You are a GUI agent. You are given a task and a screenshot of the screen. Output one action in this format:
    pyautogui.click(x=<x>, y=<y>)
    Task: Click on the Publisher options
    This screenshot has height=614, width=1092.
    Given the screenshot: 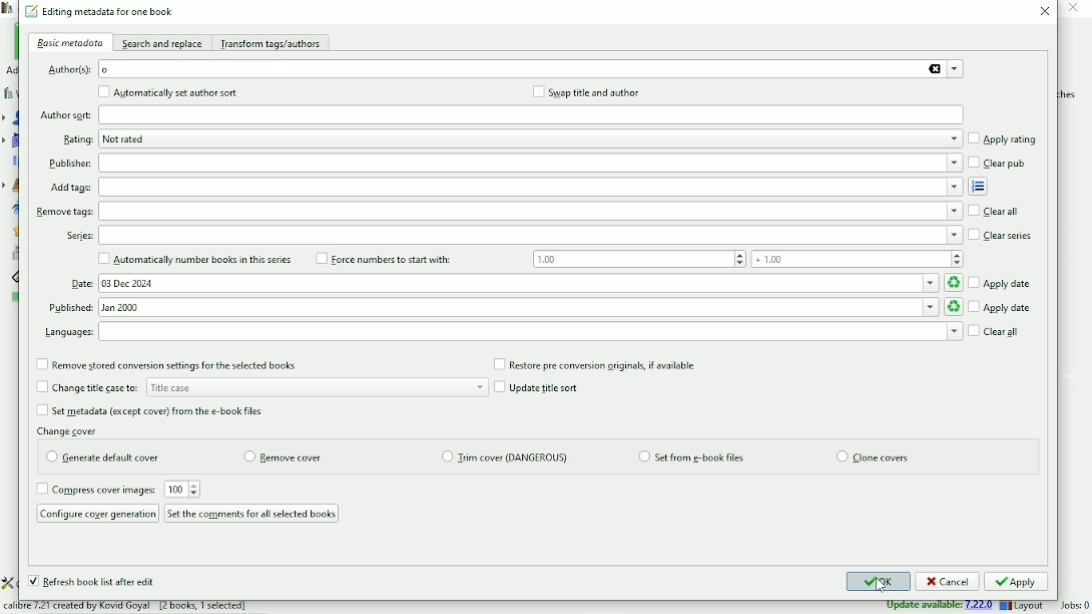 What is the action you would take?
    pyautogui.click(x=529, y=163)
    